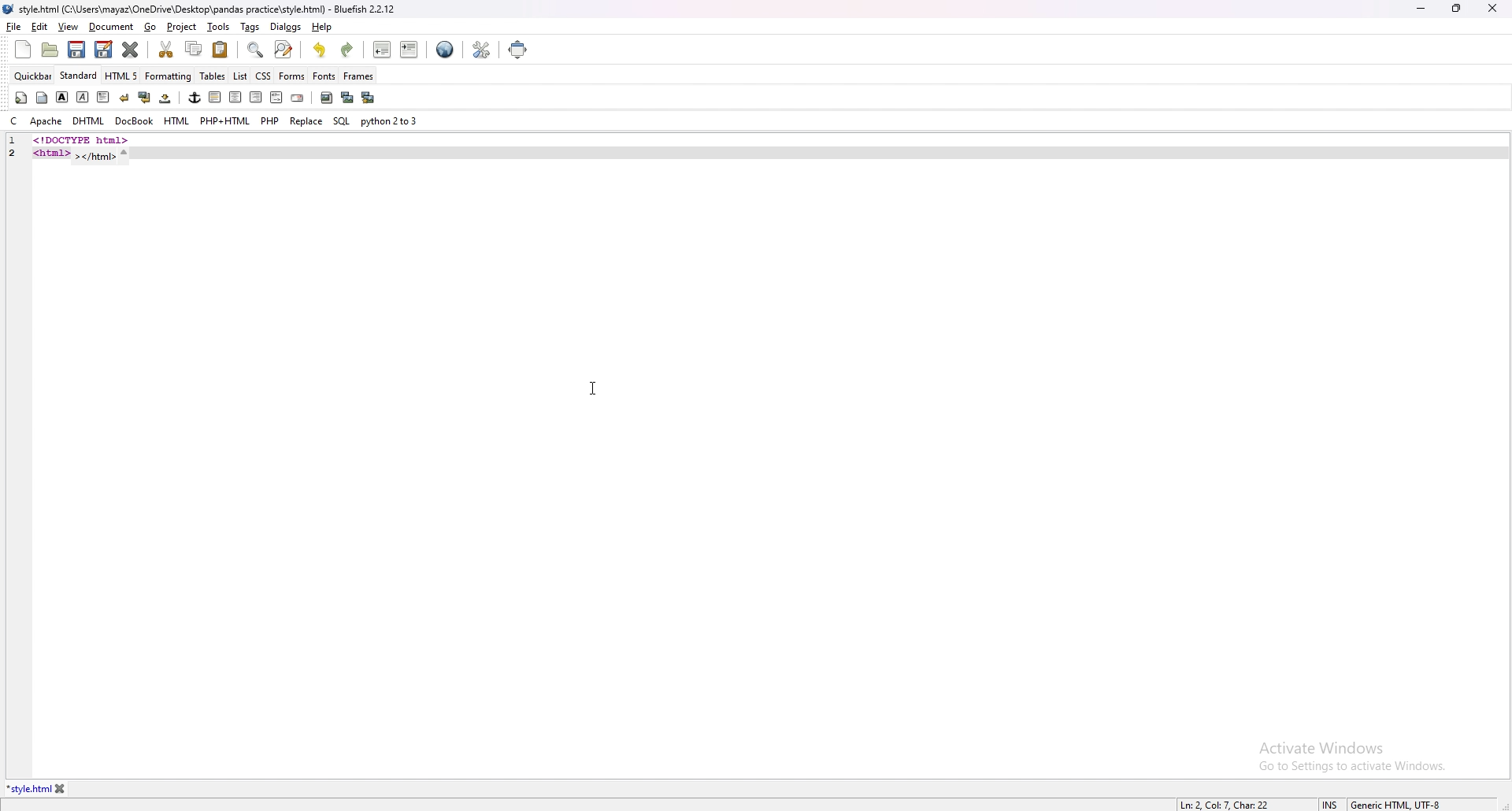  I want to click on help, so click(321, 27).